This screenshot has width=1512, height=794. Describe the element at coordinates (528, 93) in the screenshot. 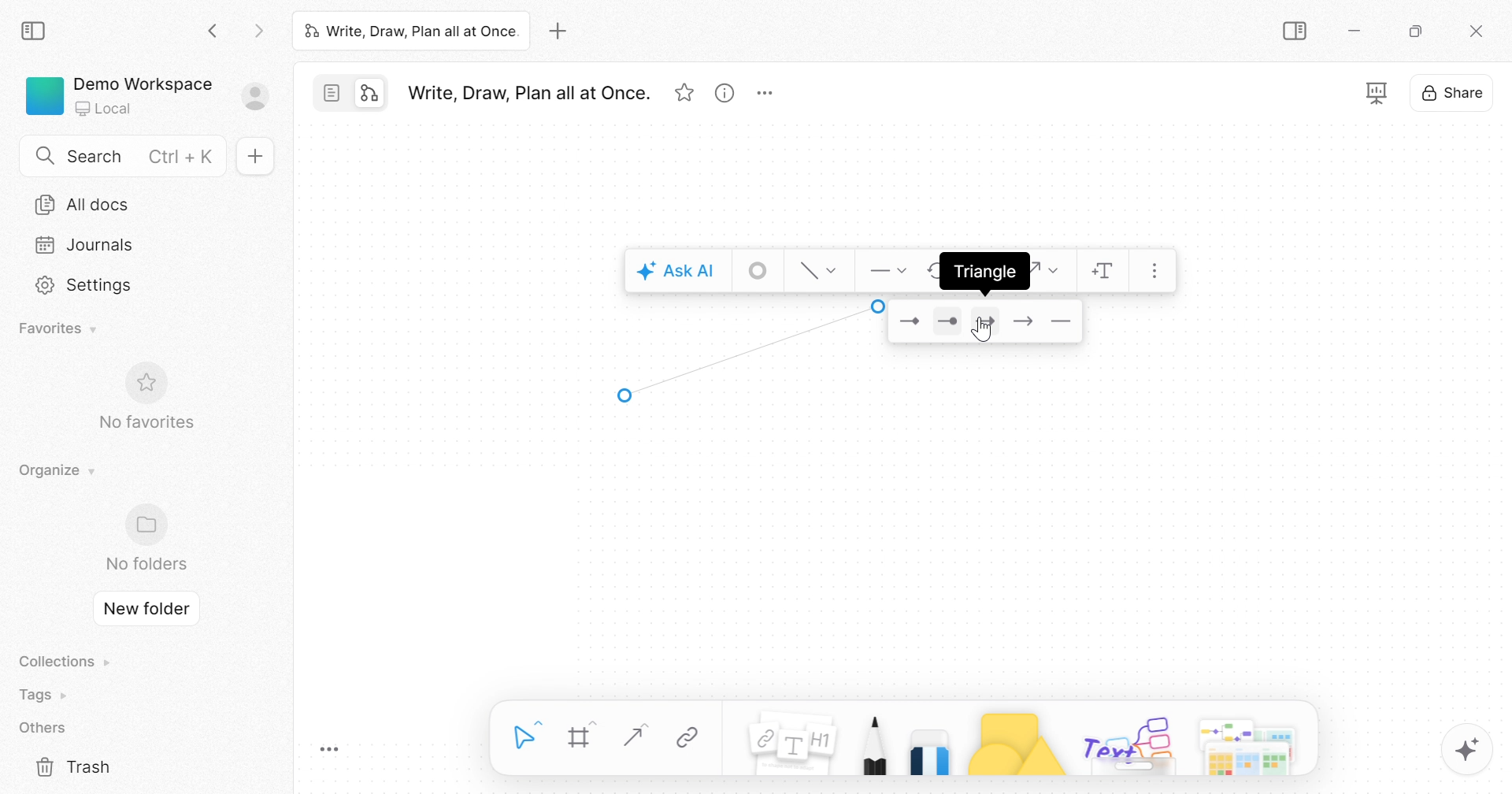

I see `Write, Draw, Plan all at Once.` at that location.